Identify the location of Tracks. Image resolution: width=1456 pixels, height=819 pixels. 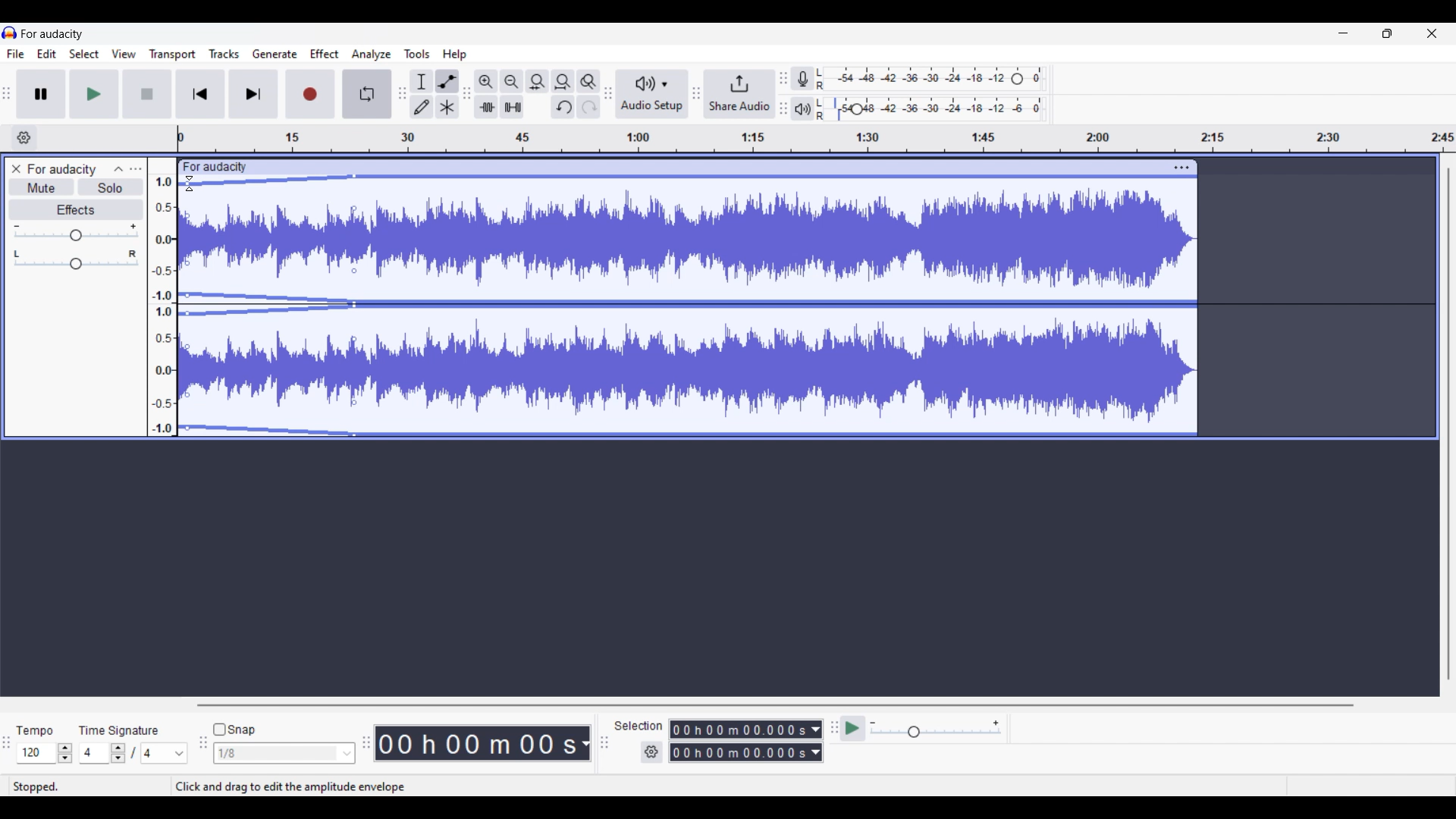
(224, 54).